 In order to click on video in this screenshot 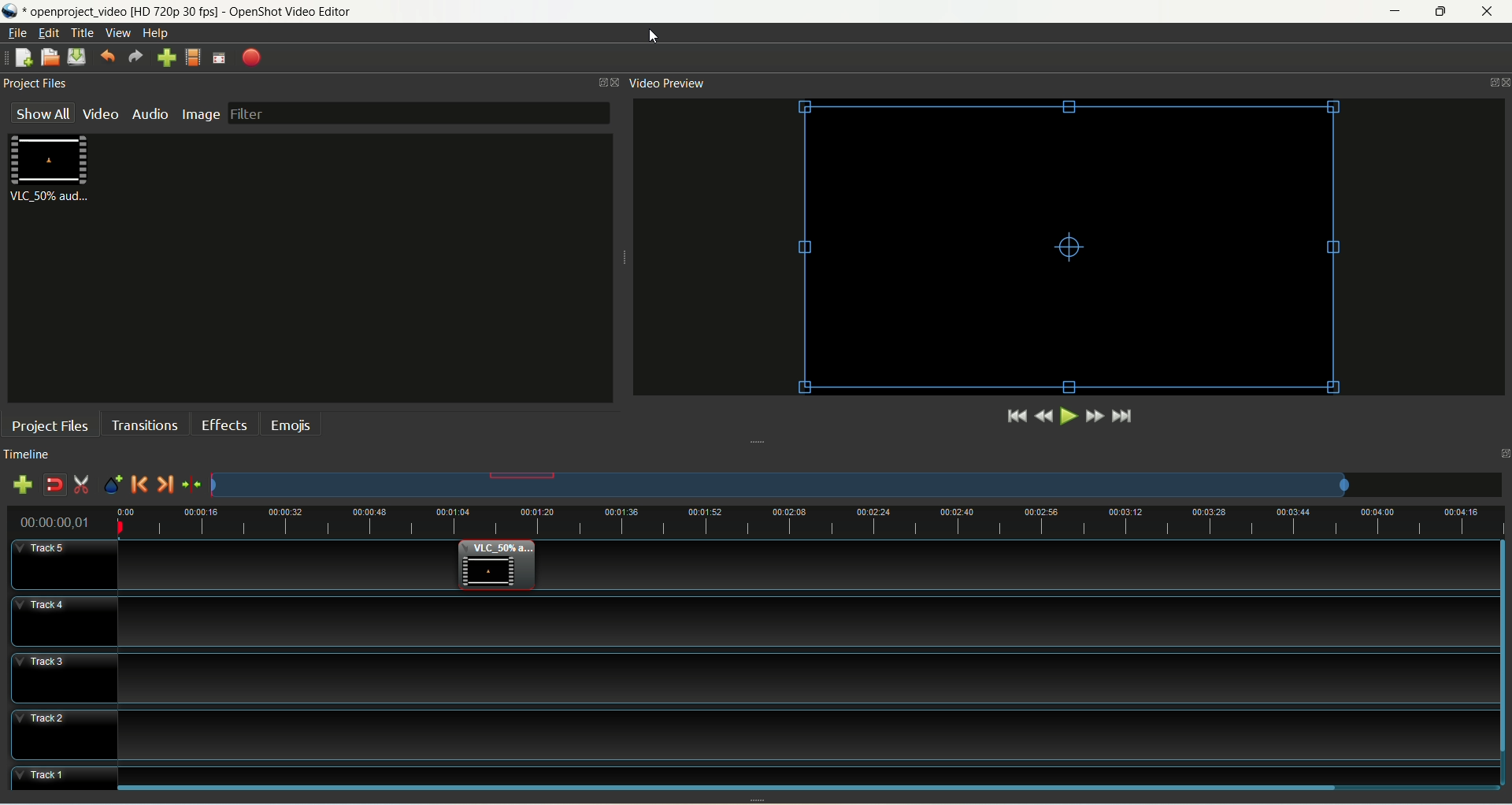, I will do `click(101, 116)`.